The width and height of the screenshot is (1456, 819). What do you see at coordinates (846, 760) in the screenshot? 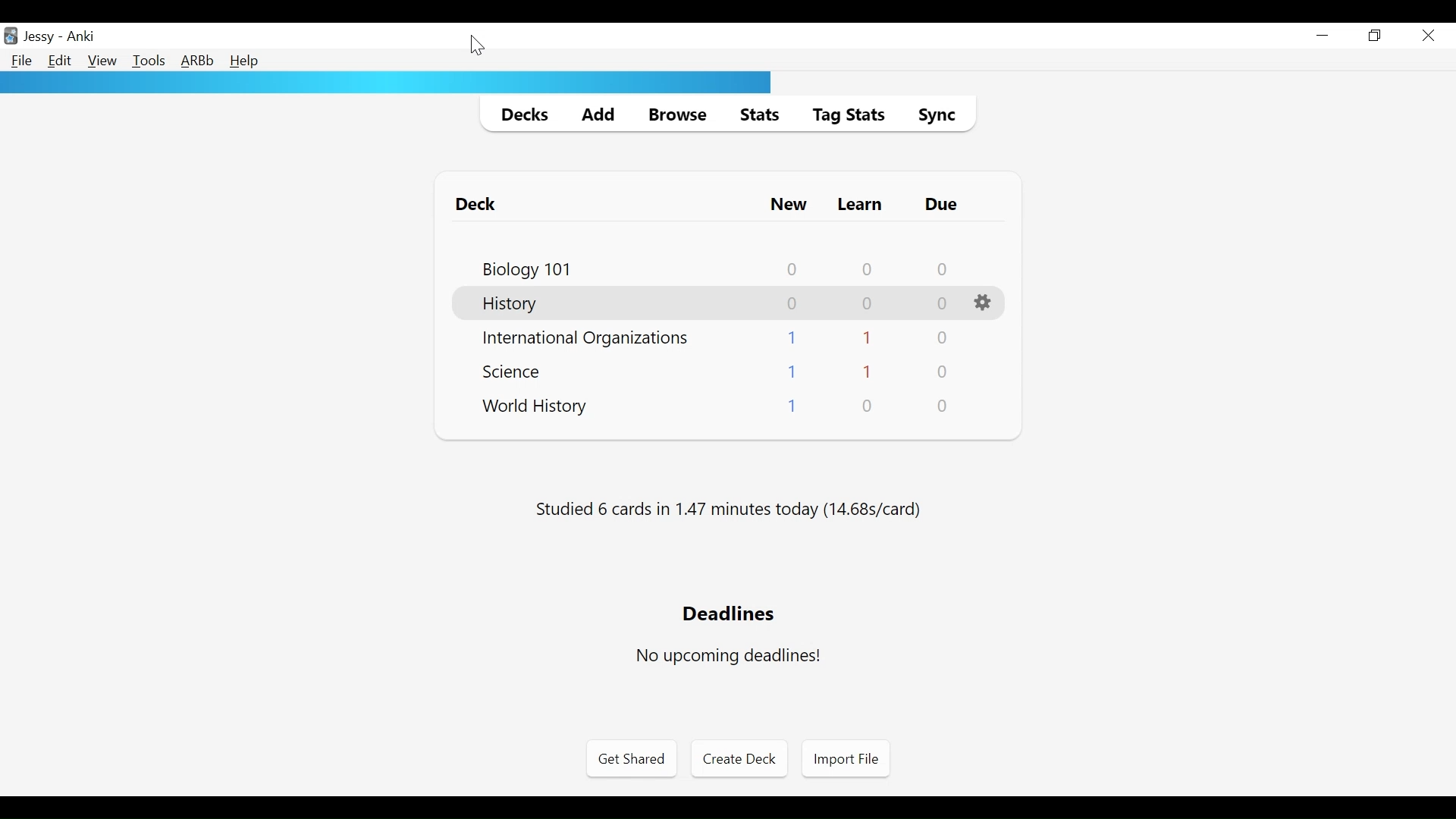
I see `Import Files` at bounding box center [846, 760].